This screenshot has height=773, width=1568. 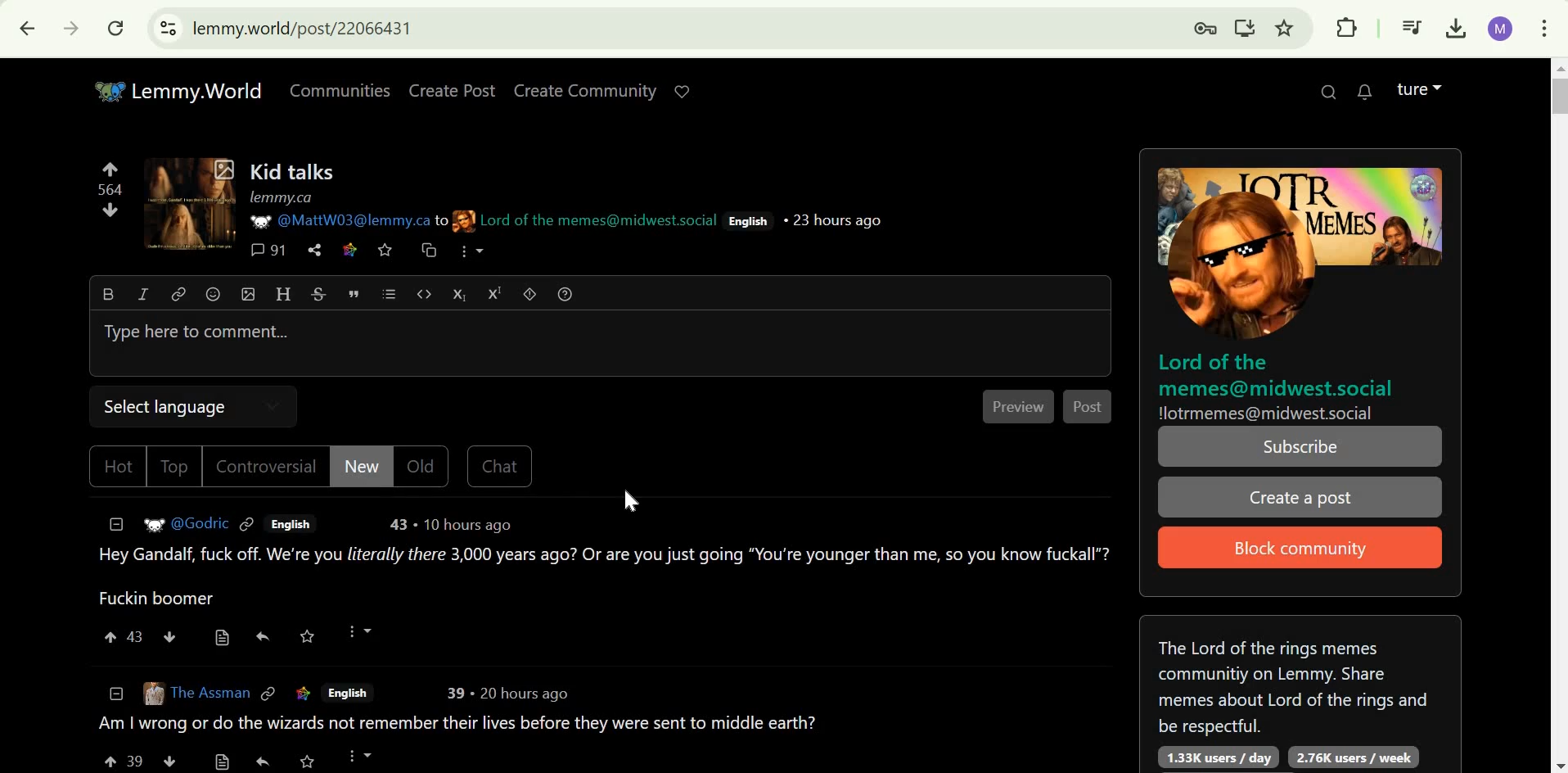 What do you see at coordinates (1544, 29) in the screenshot?
I see `customize and control google chrome` at bounding box center [1544, 29].